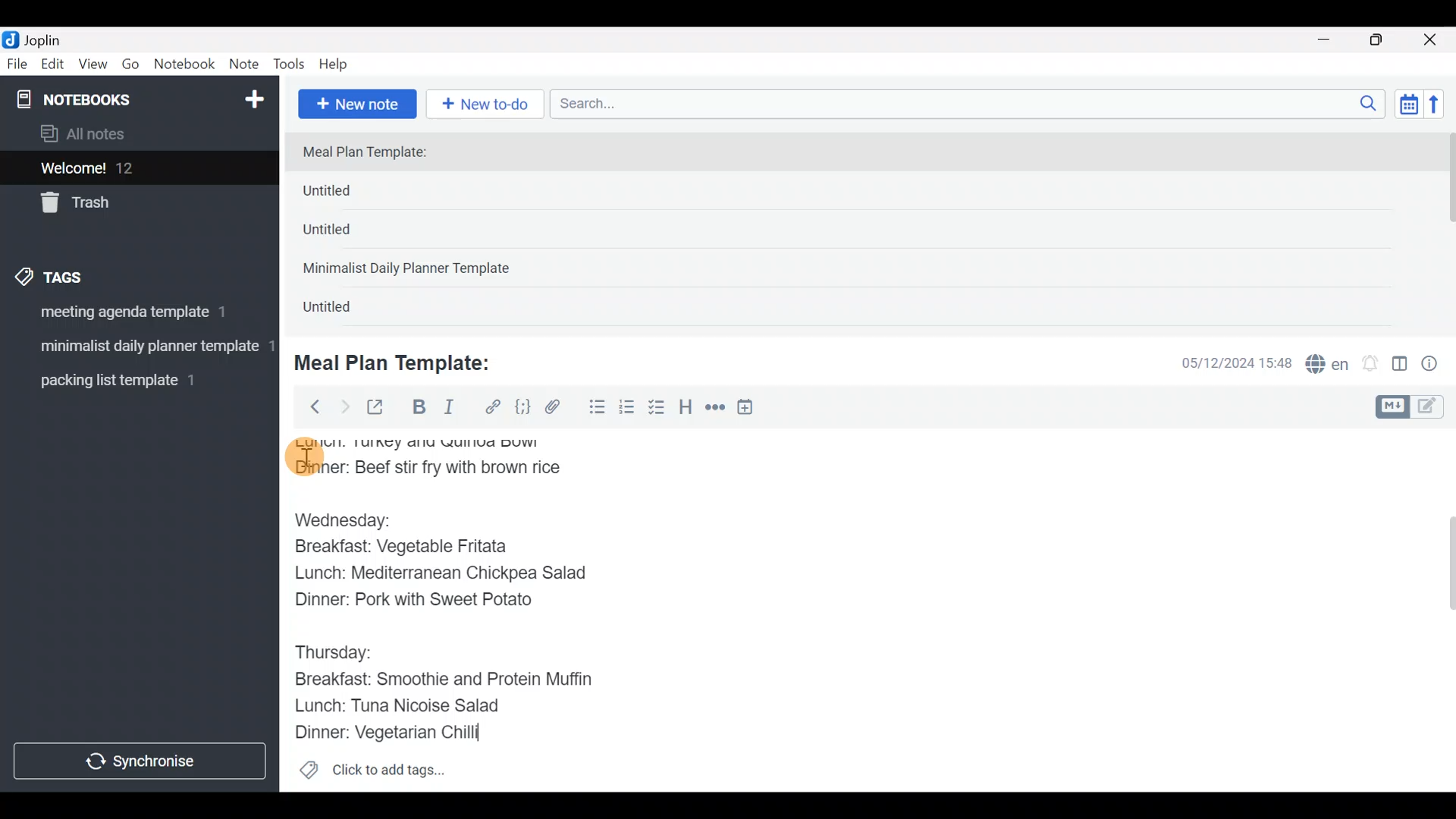  I want to click on Forward, so click(344, 406).